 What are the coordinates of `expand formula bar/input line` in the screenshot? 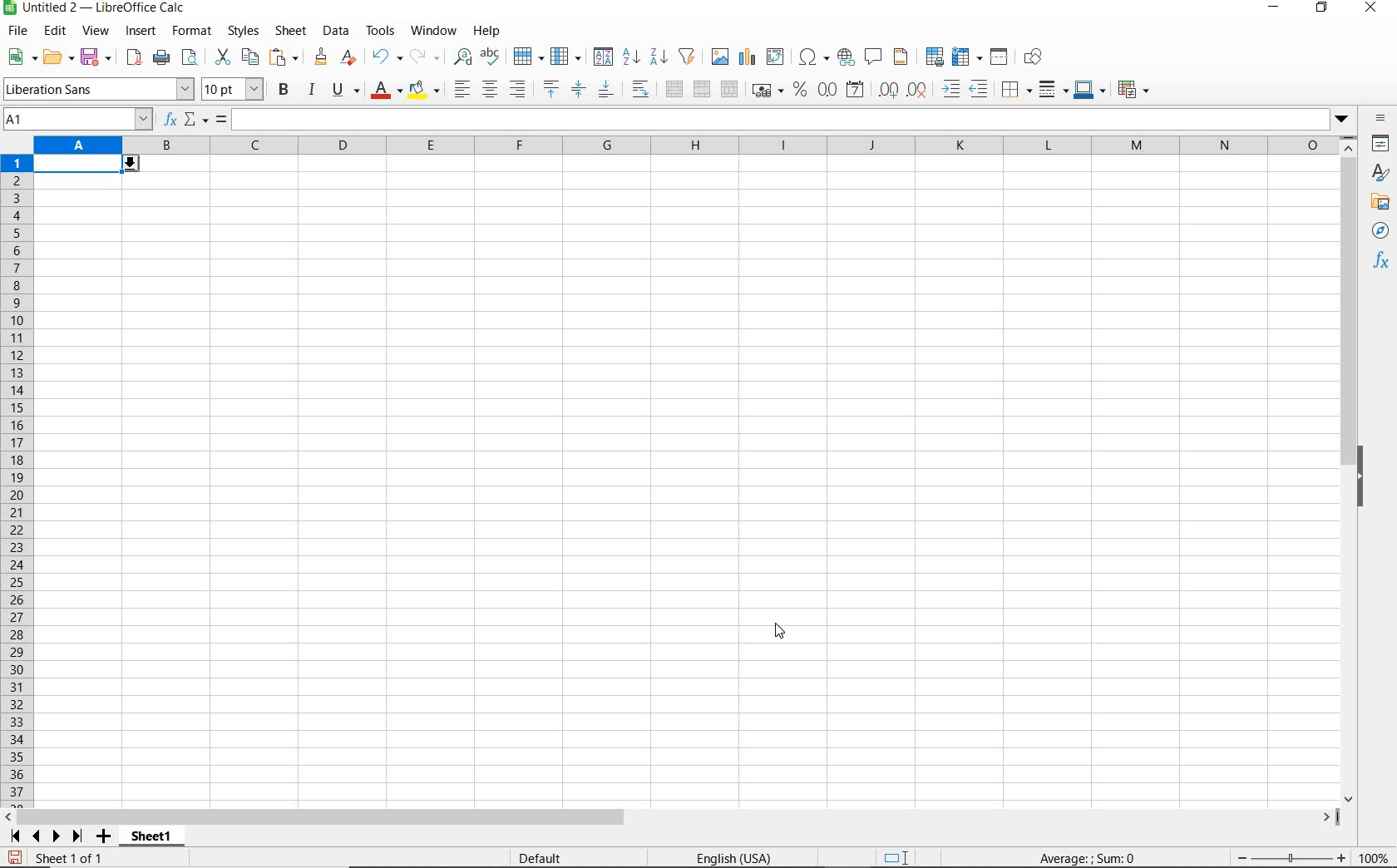 It's located at (777, 121).